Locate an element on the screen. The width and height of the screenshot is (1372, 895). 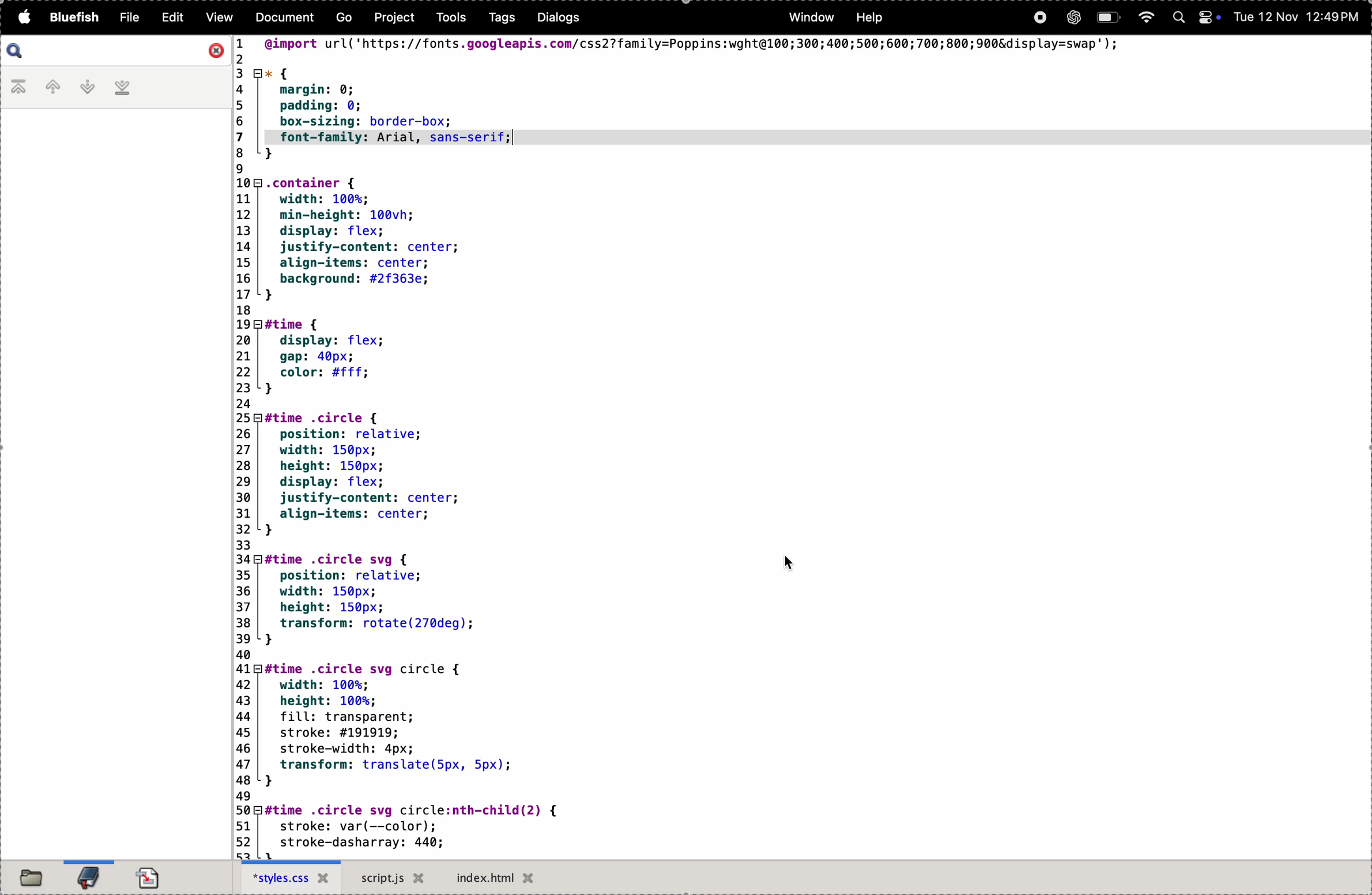
edit is located at coordinates (172, 17).